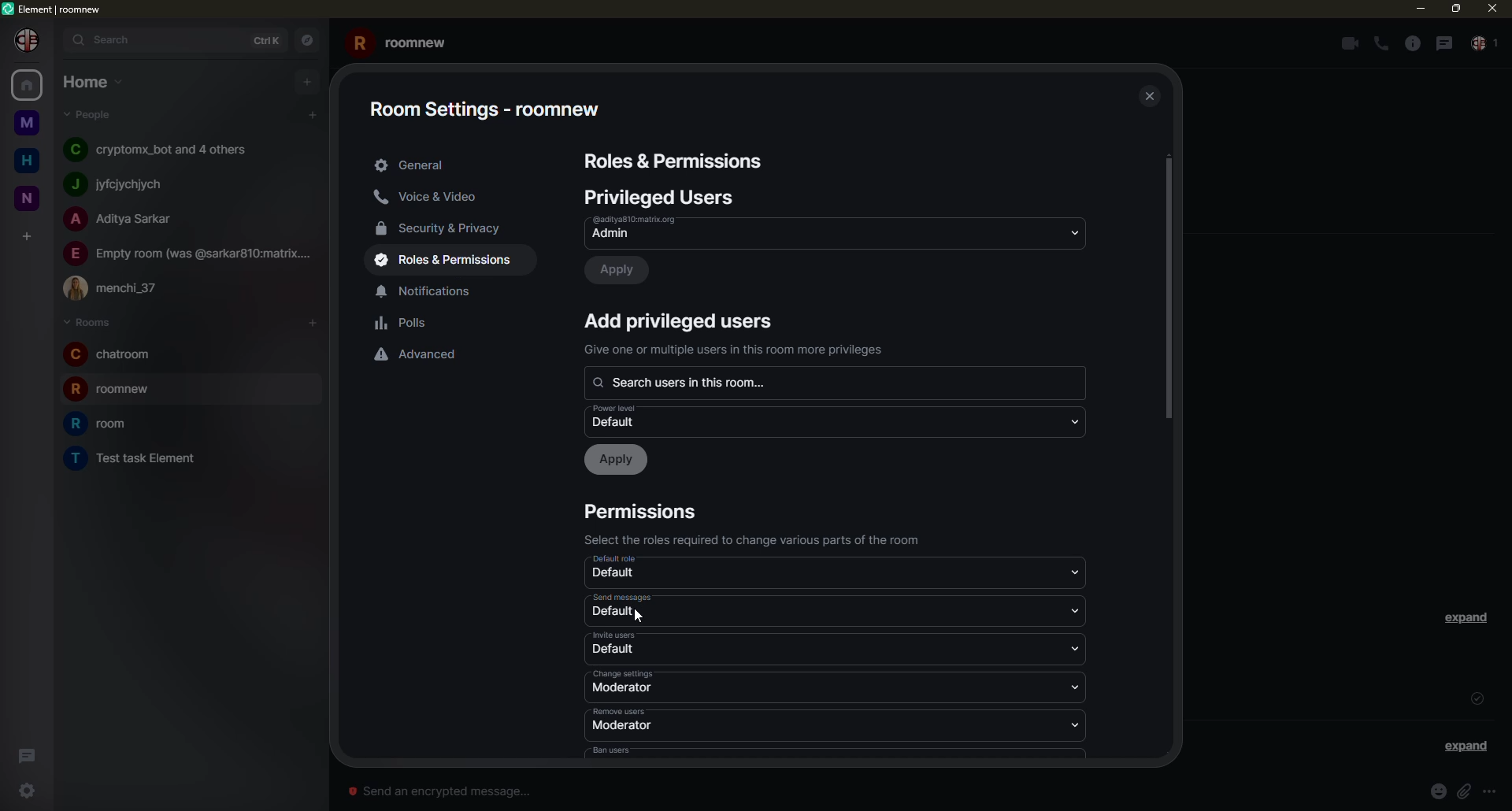 This screenshot has width=1512, height=811. Describe the element at coordinates (621, 597) in the screenshot. I see `send message` at that location.